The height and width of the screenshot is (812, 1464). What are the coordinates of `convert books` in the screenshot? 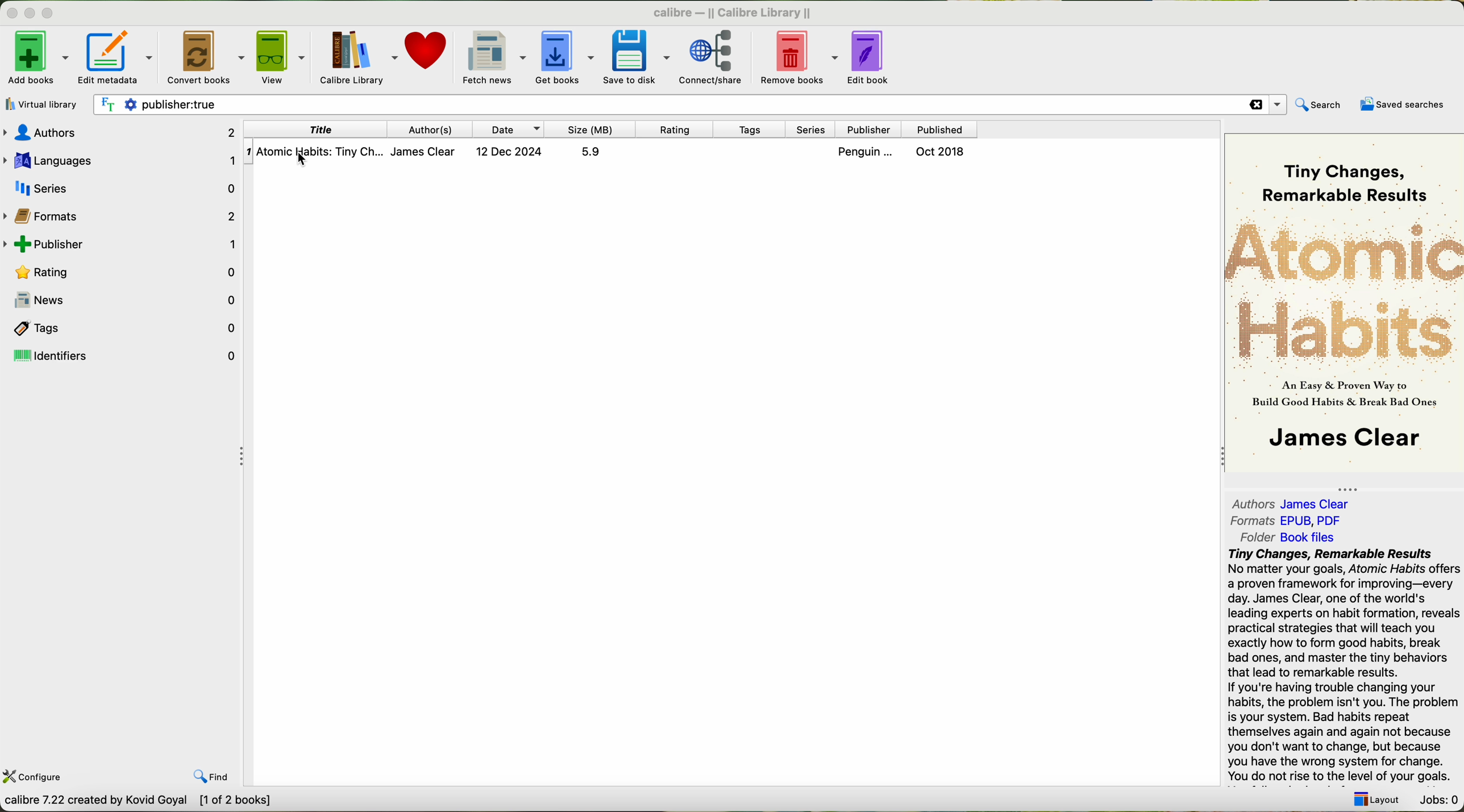 It's located at (206, 56).